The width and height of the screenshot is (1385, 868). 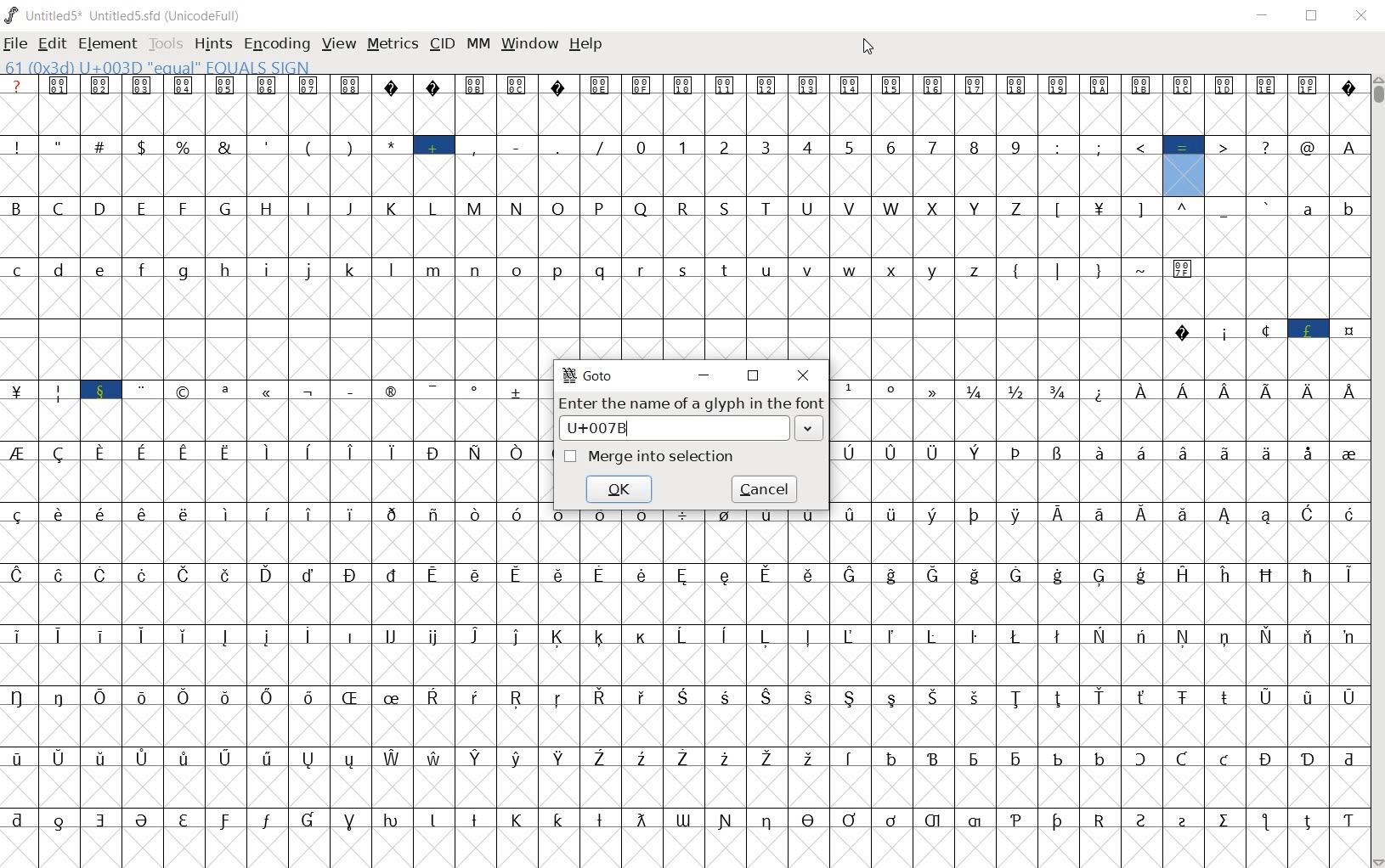 What do you see at coordinates (336, 43) in the screenshot?
I see `view` at bounding box center [336, 43].